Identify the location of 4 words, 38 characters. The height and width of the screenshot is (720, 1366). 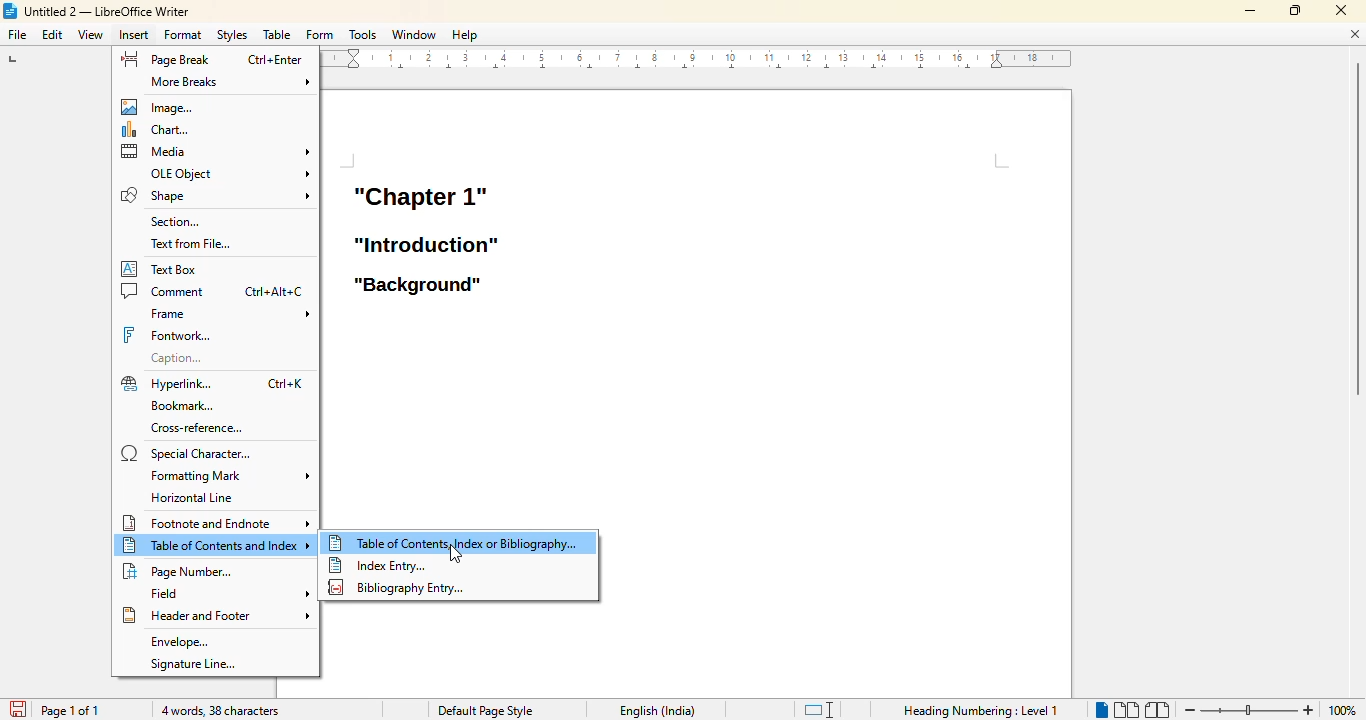
(220, 711).